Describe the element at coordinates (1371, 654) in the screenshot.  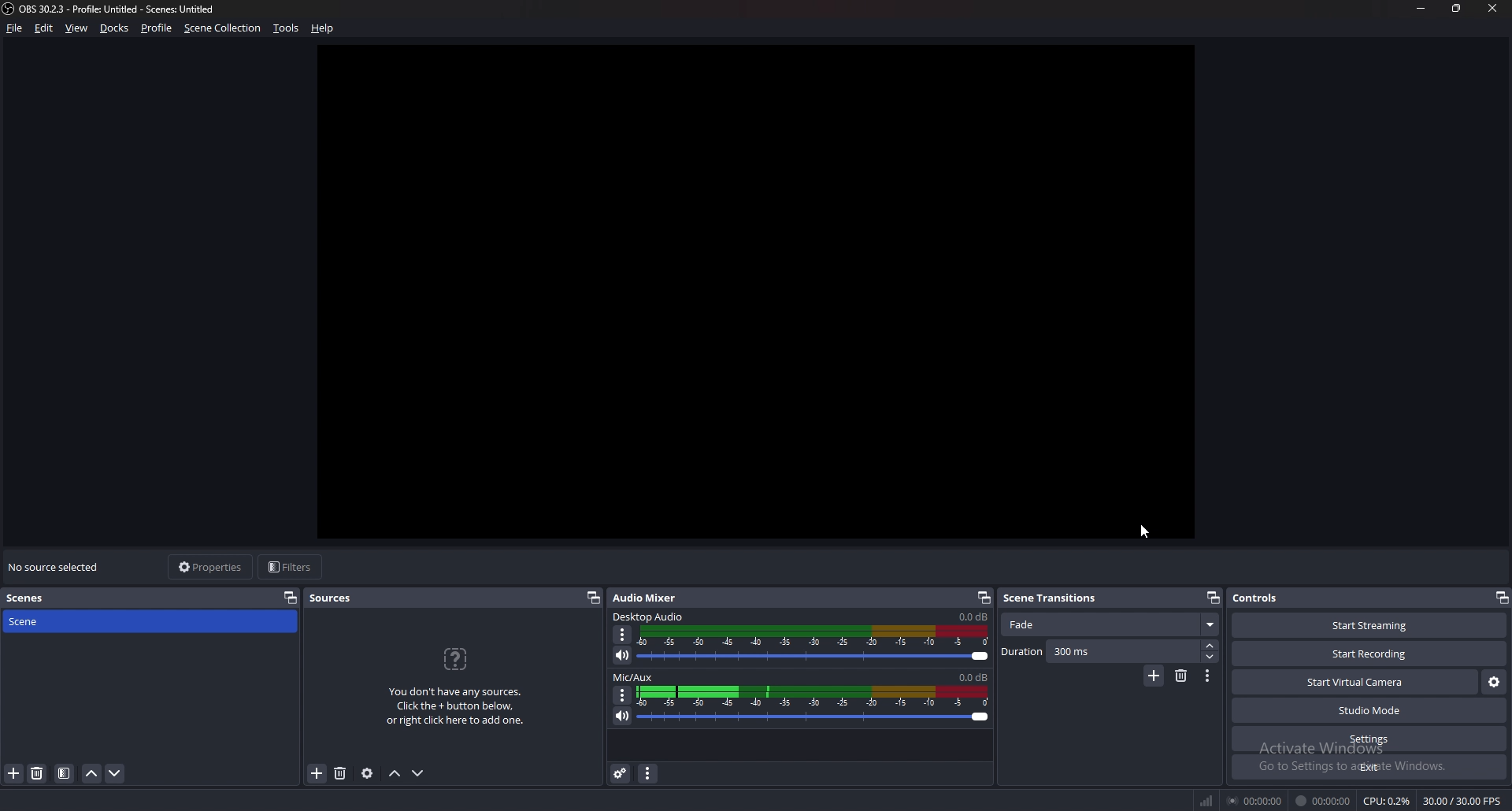
I see `start recording` at that location.